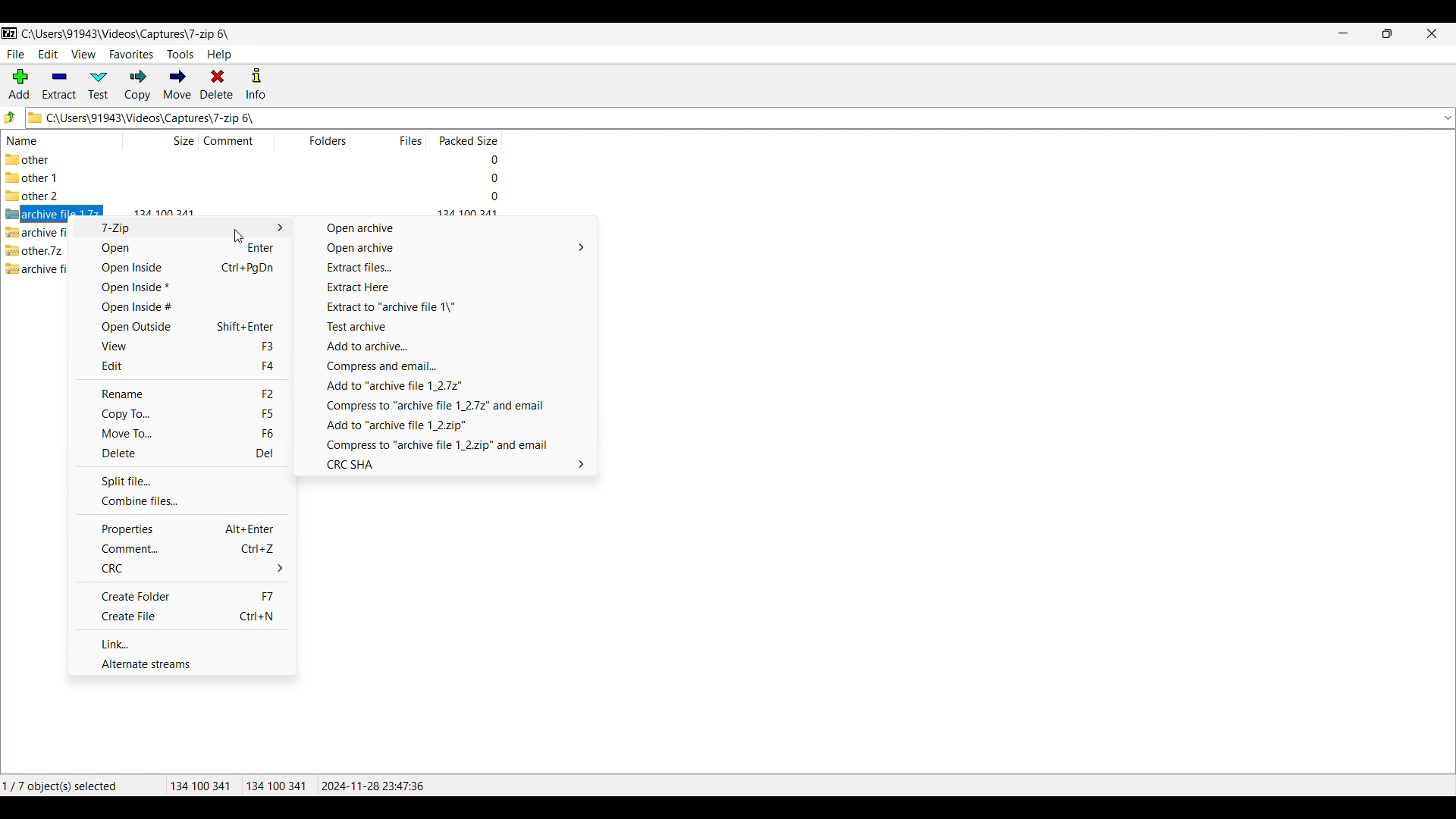 This screenshot has width=1456, height=819. I want to click on File menu, so click(15, 55).